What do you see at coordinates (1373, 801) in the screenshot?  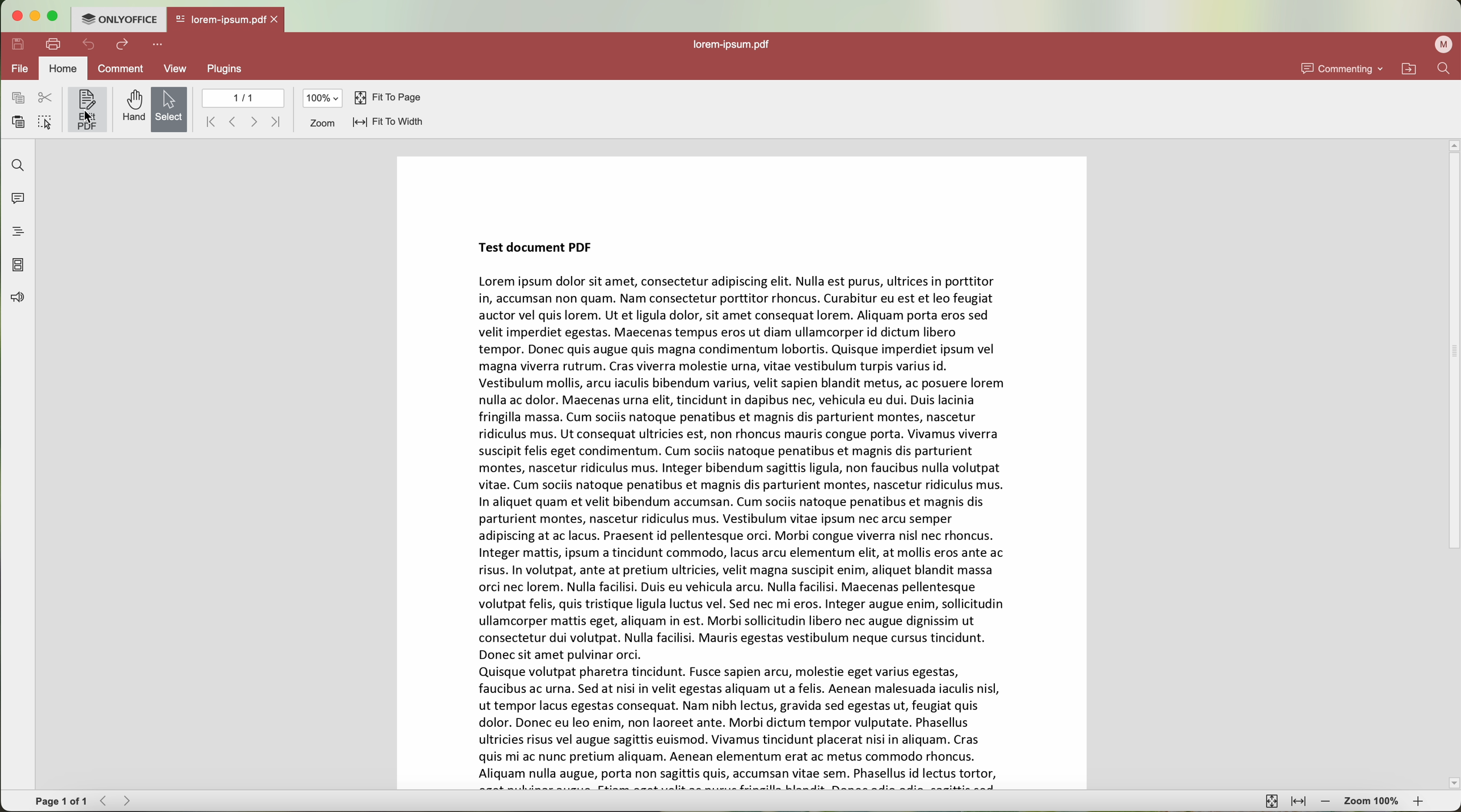 I see `zoom 100%` at bounding box center [1373, 801].